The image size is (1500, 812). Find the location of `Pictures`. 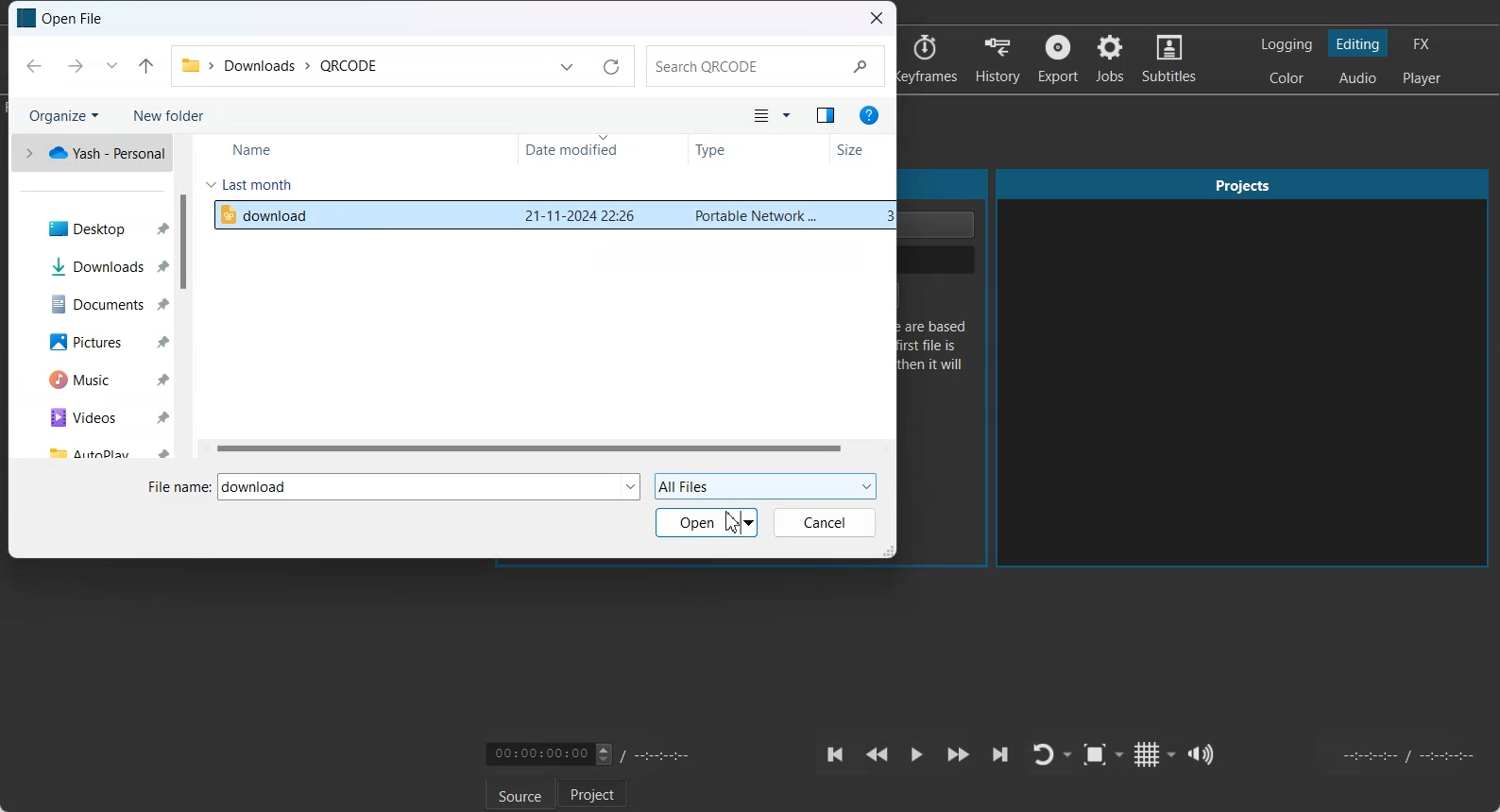

Pictures is located at coordinates (91, 342).